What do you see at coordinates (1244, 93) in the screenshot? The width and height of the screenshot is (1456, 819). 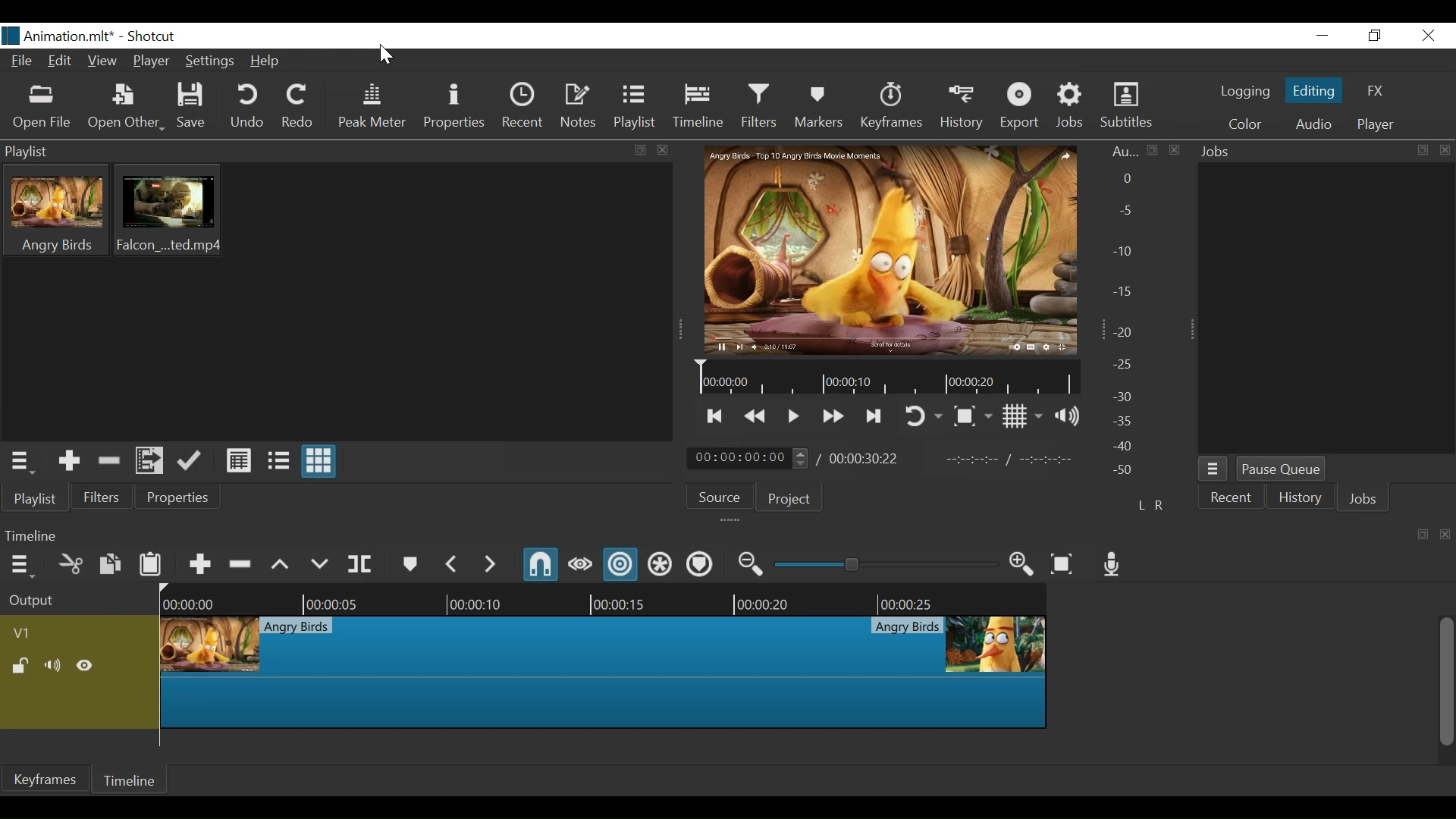 I see `logging` at bounding box center [1244, 93].